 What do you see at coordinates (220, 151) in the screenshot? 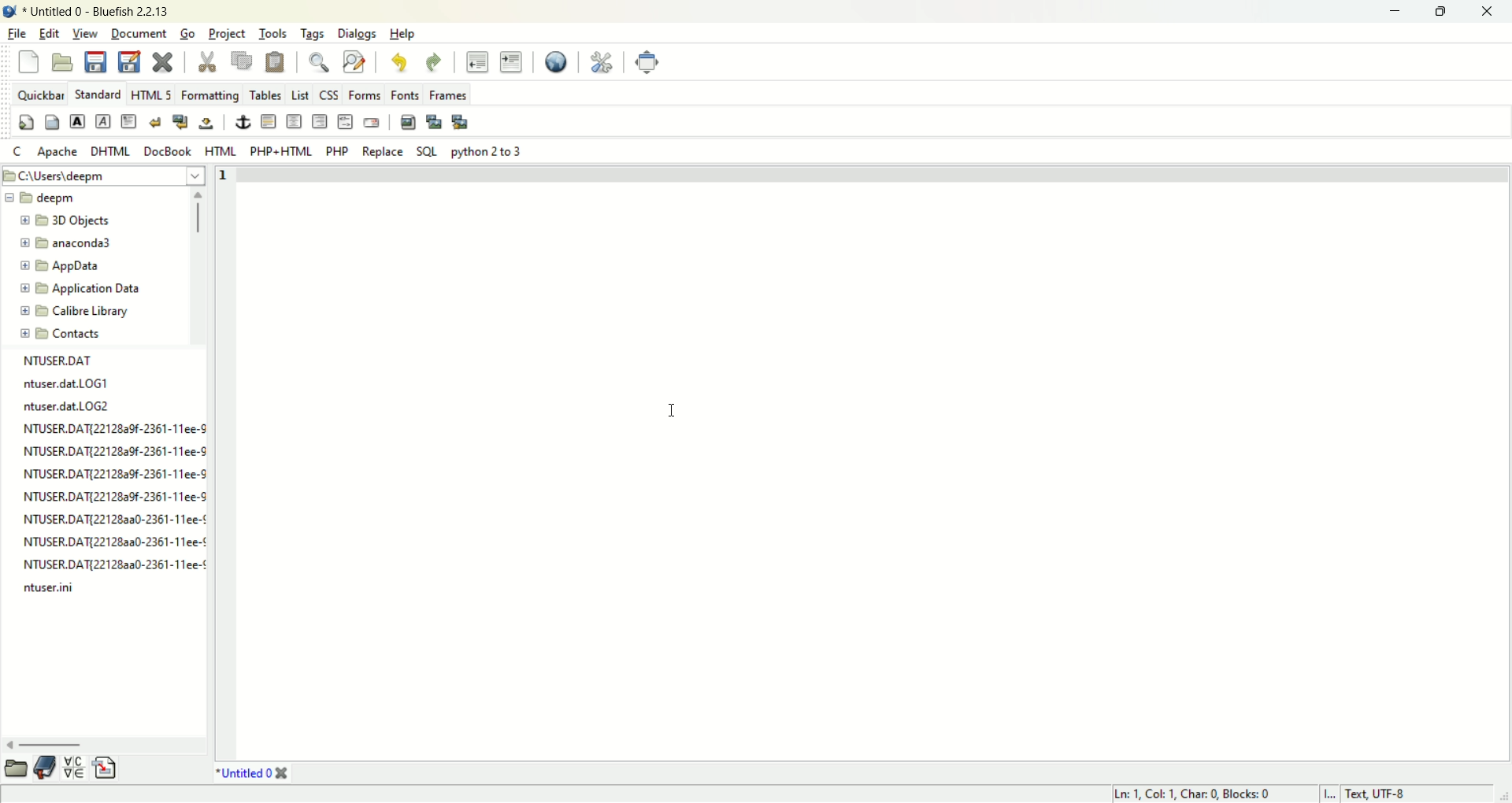
I see `HTML` at bounding box center [220, 151].